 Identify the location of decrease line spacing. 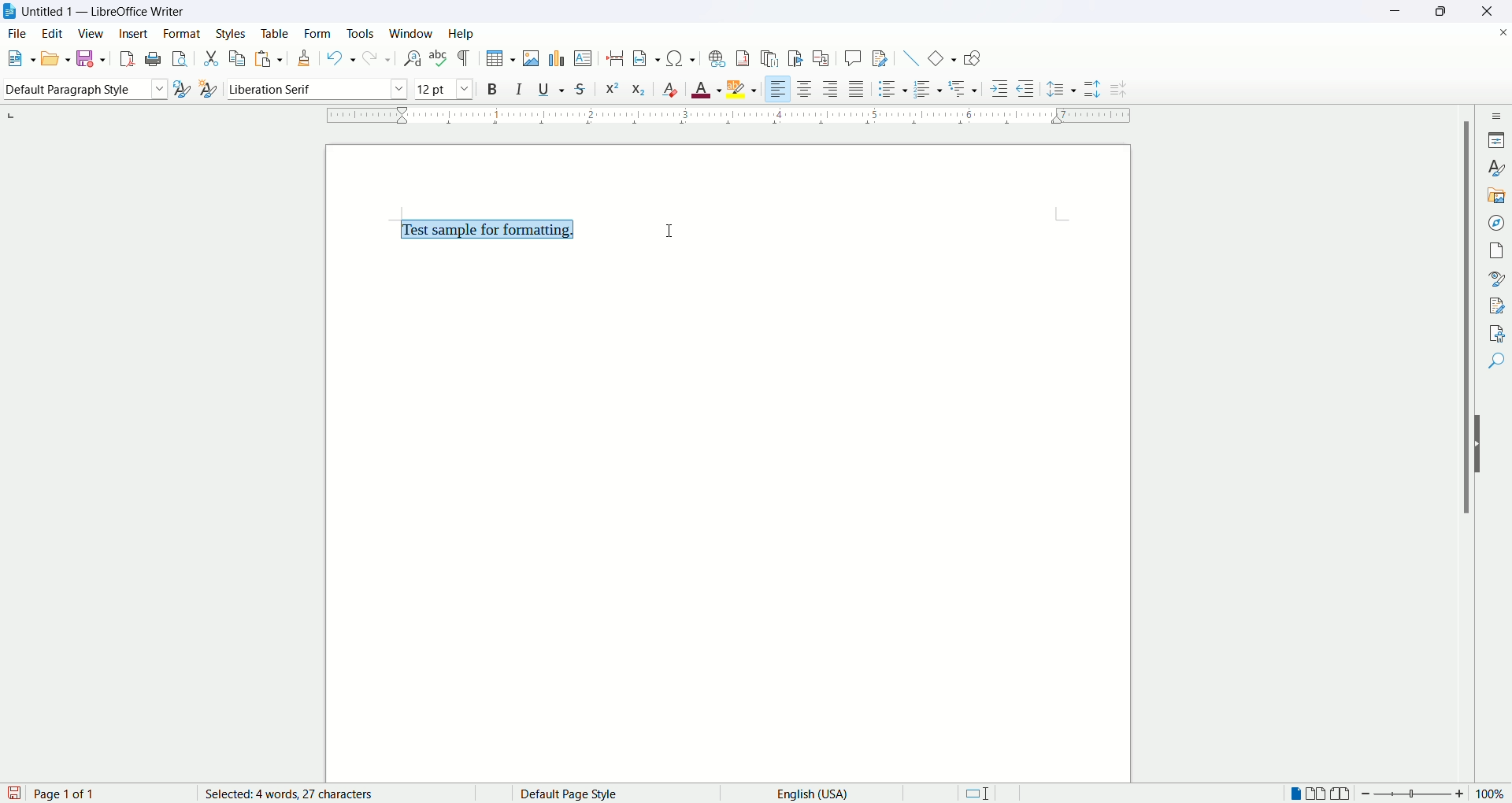
(1117, 90).